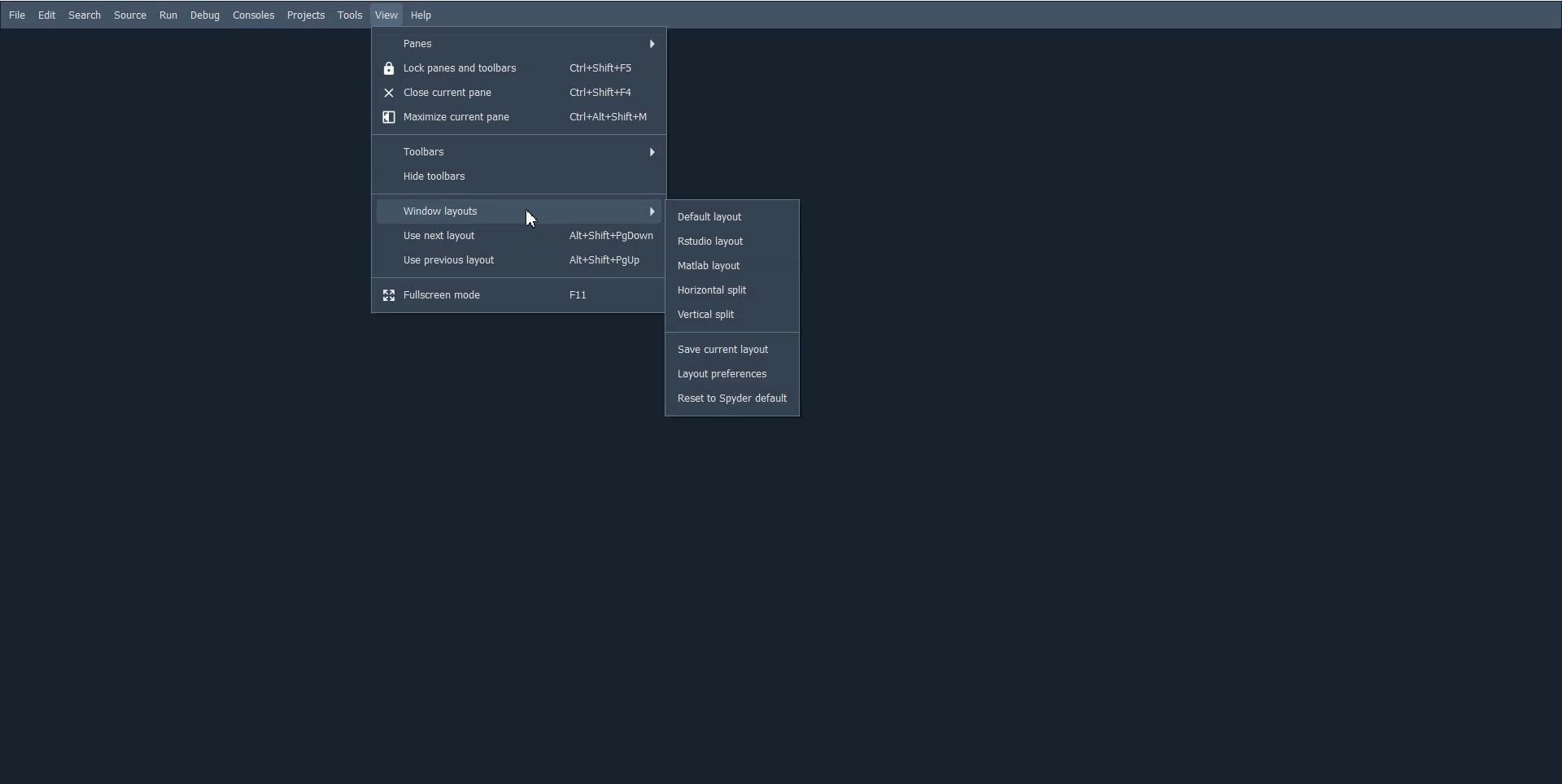 This screenshot has width=1562, height=784. I want to click on Search, so click(85, 15).